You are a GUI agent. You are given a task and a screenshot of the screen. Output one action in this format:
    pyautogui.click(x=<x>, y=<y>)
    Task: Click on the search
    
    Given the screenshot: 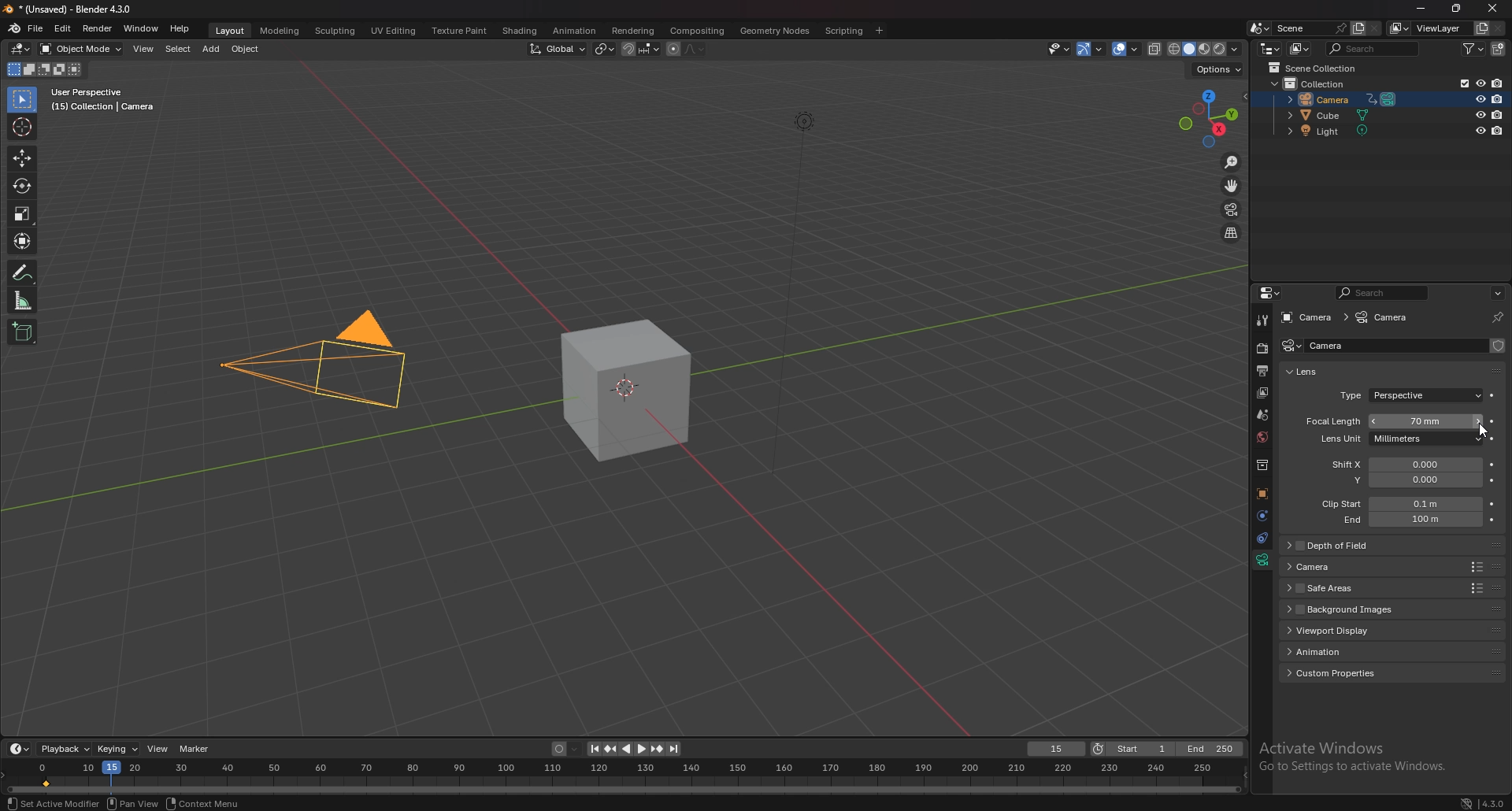 What is the action you would take?
    pyautogui.click(x=1381, y=292)
    